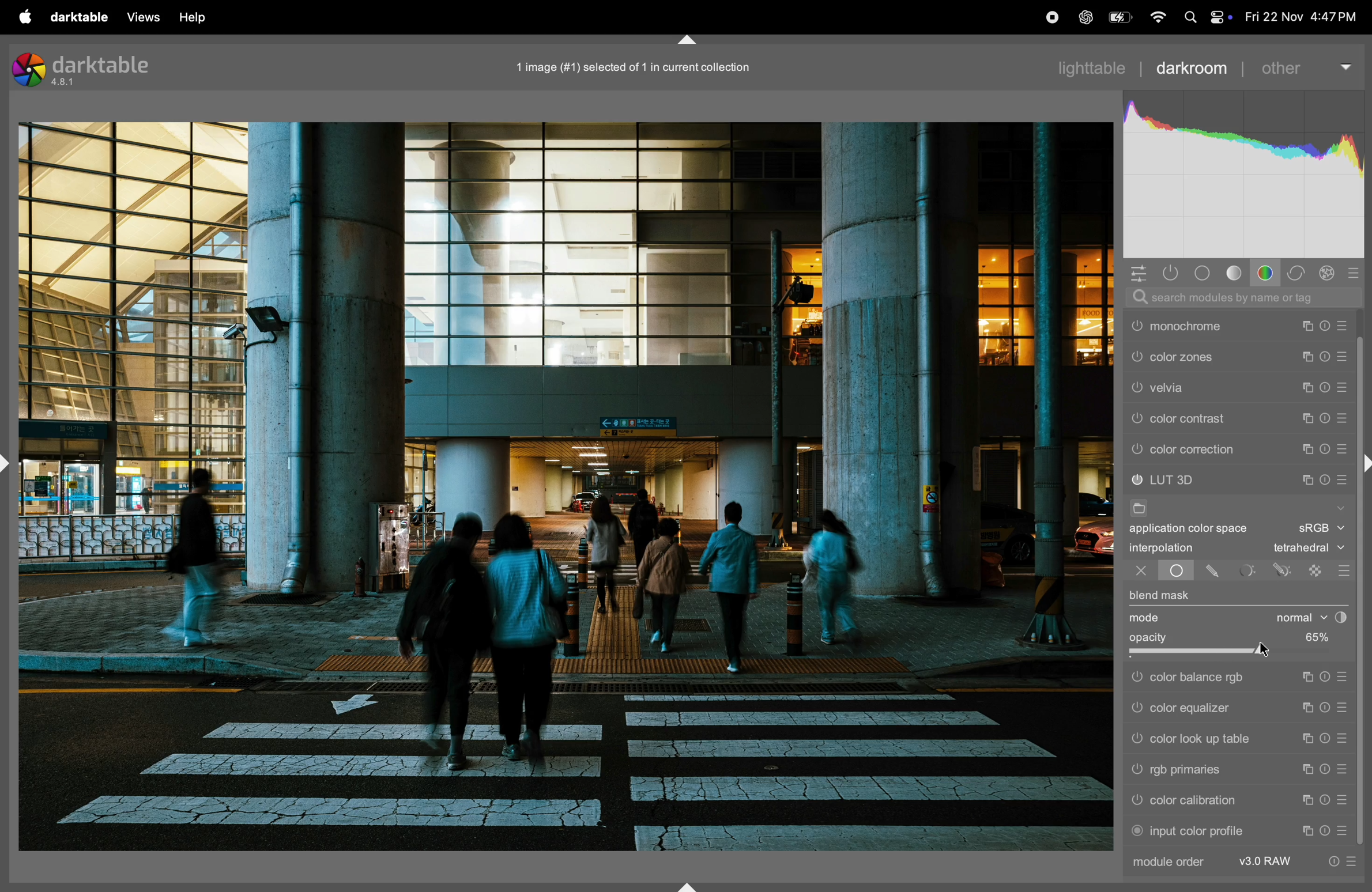  Describe the element at coordinates (1217, 356) in the screenshot. I see `monchrome` at that location.